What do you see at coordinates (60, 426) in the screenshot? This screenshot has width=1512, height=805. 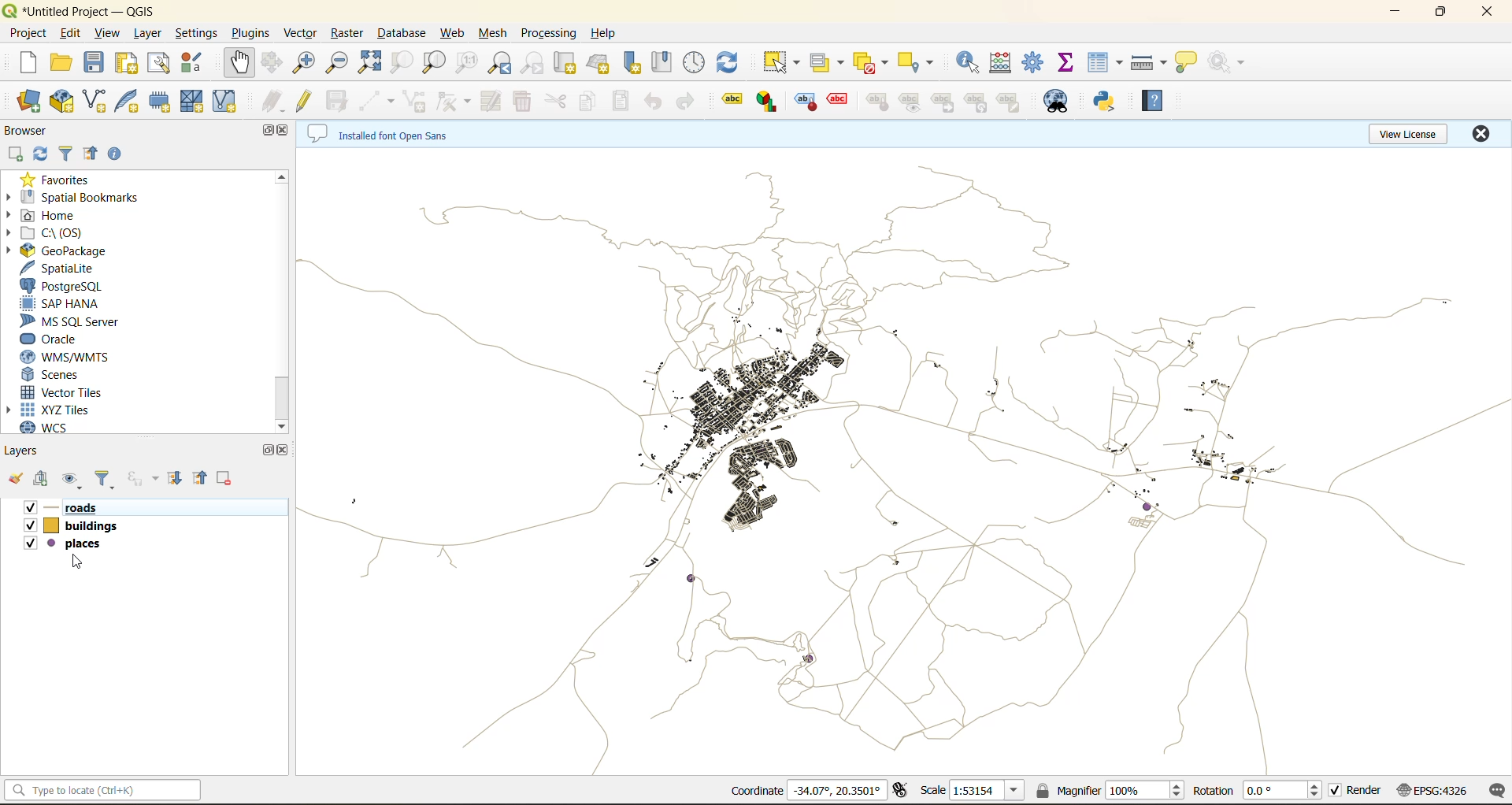 I see `wcs` at bounding box center [60, 426].